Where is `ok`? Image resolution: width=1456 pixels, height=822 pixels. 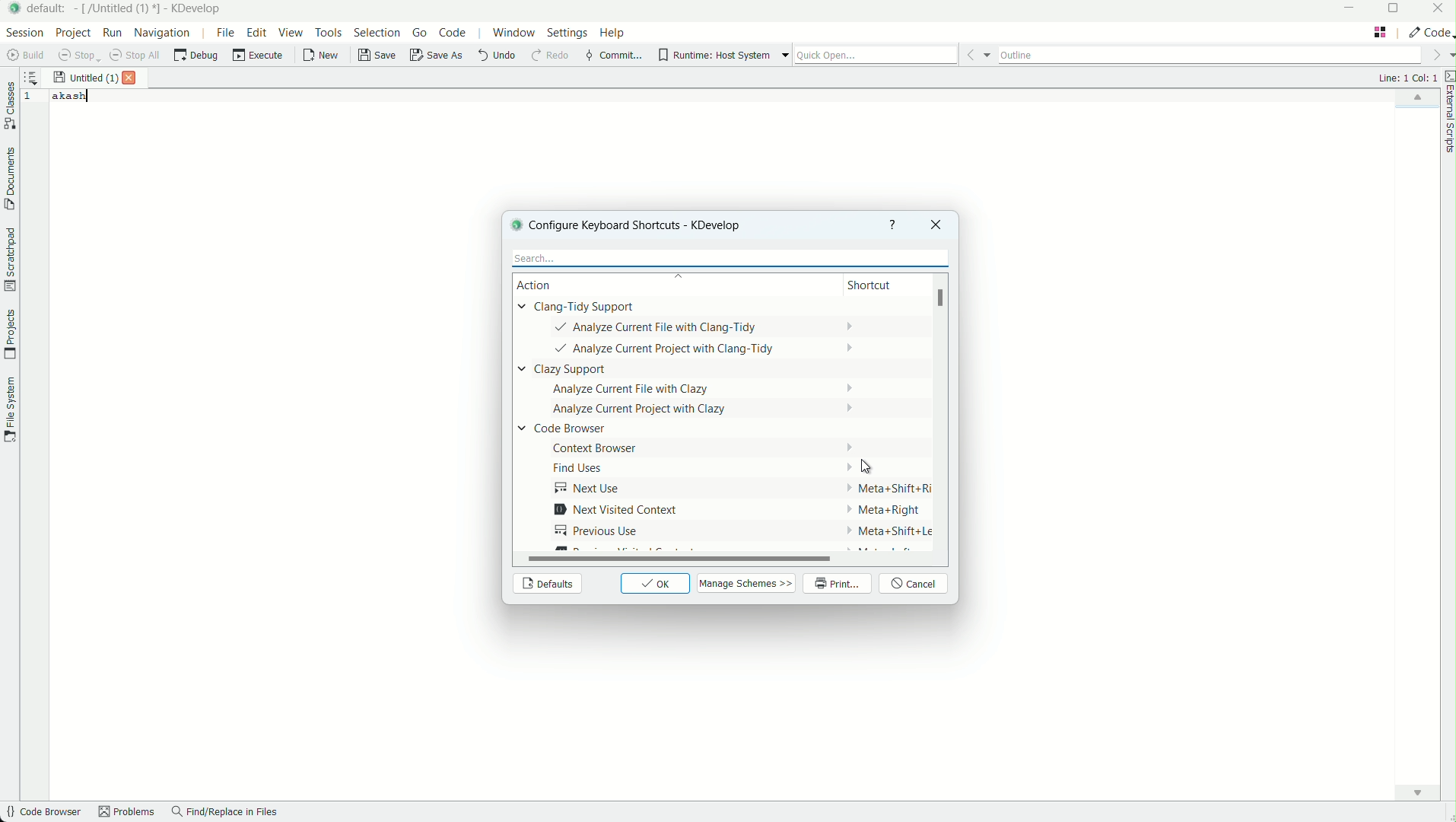 ok is located at coordinates (656, 584).